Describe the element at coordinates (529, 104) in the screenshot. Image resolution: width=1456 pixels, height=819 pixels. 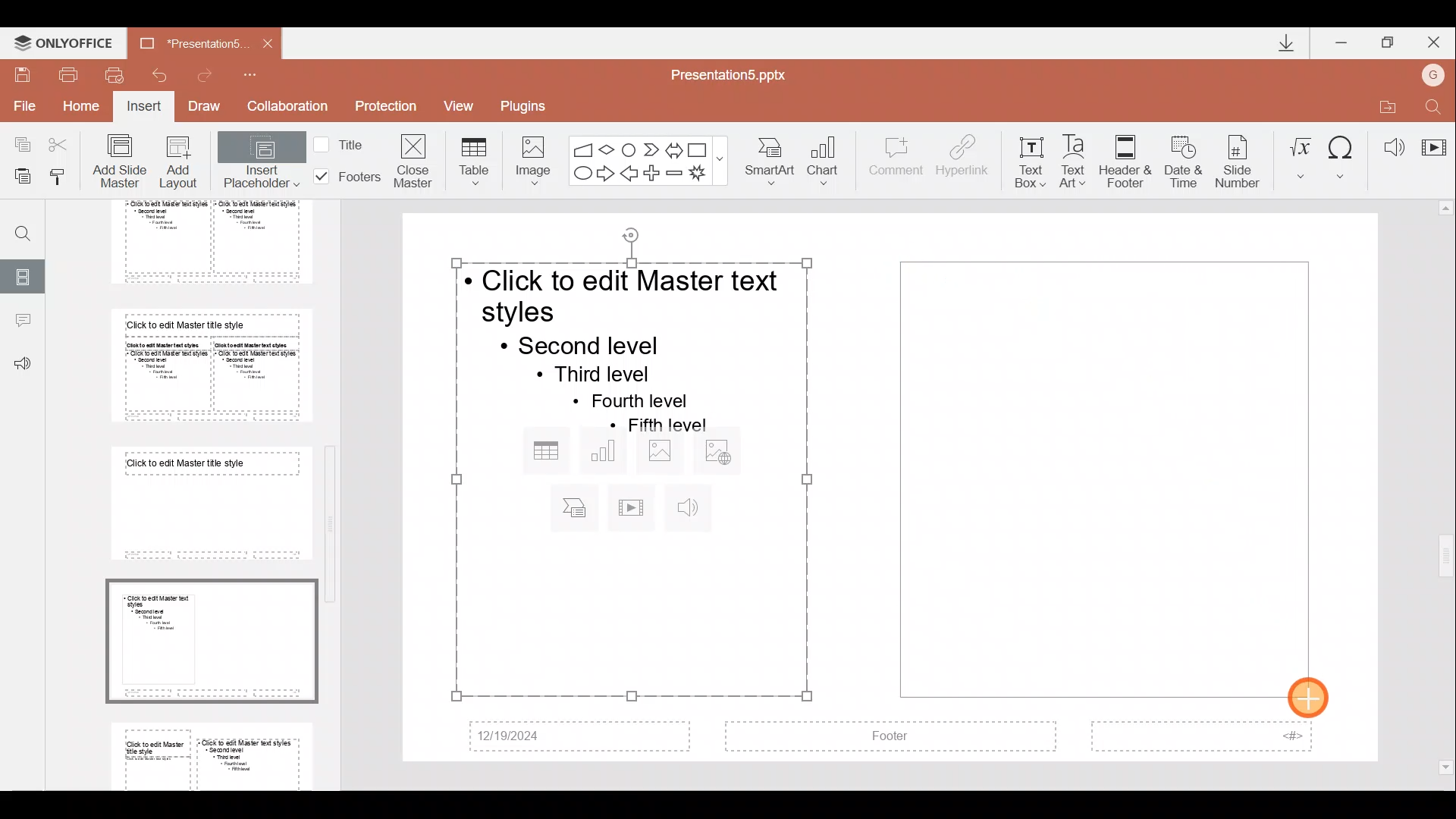
I see `Plugins` at that location.